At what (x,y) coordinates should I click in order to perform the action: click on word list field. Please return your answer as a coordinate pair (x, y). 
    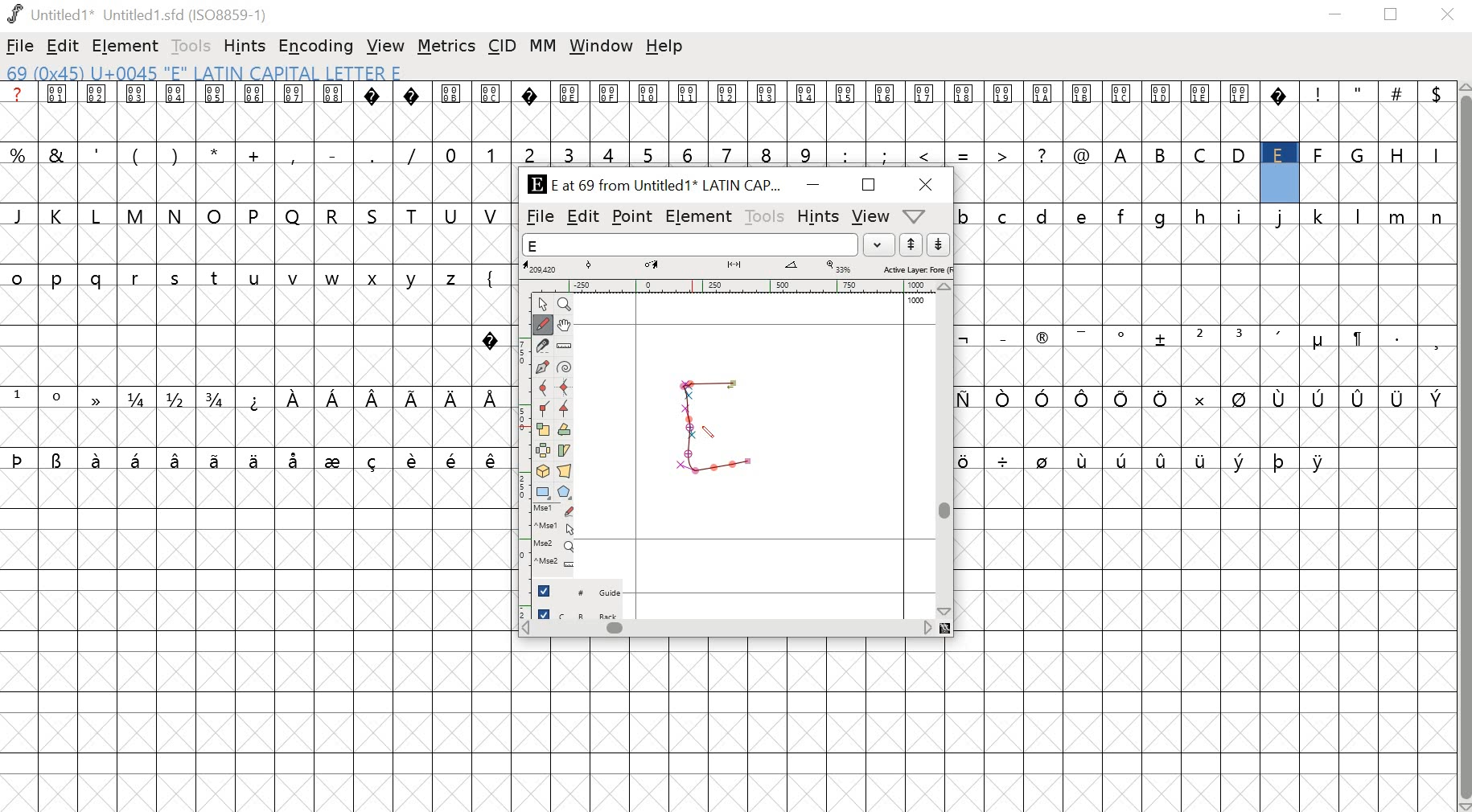
    Looking at the image, I should click on (690, 244).